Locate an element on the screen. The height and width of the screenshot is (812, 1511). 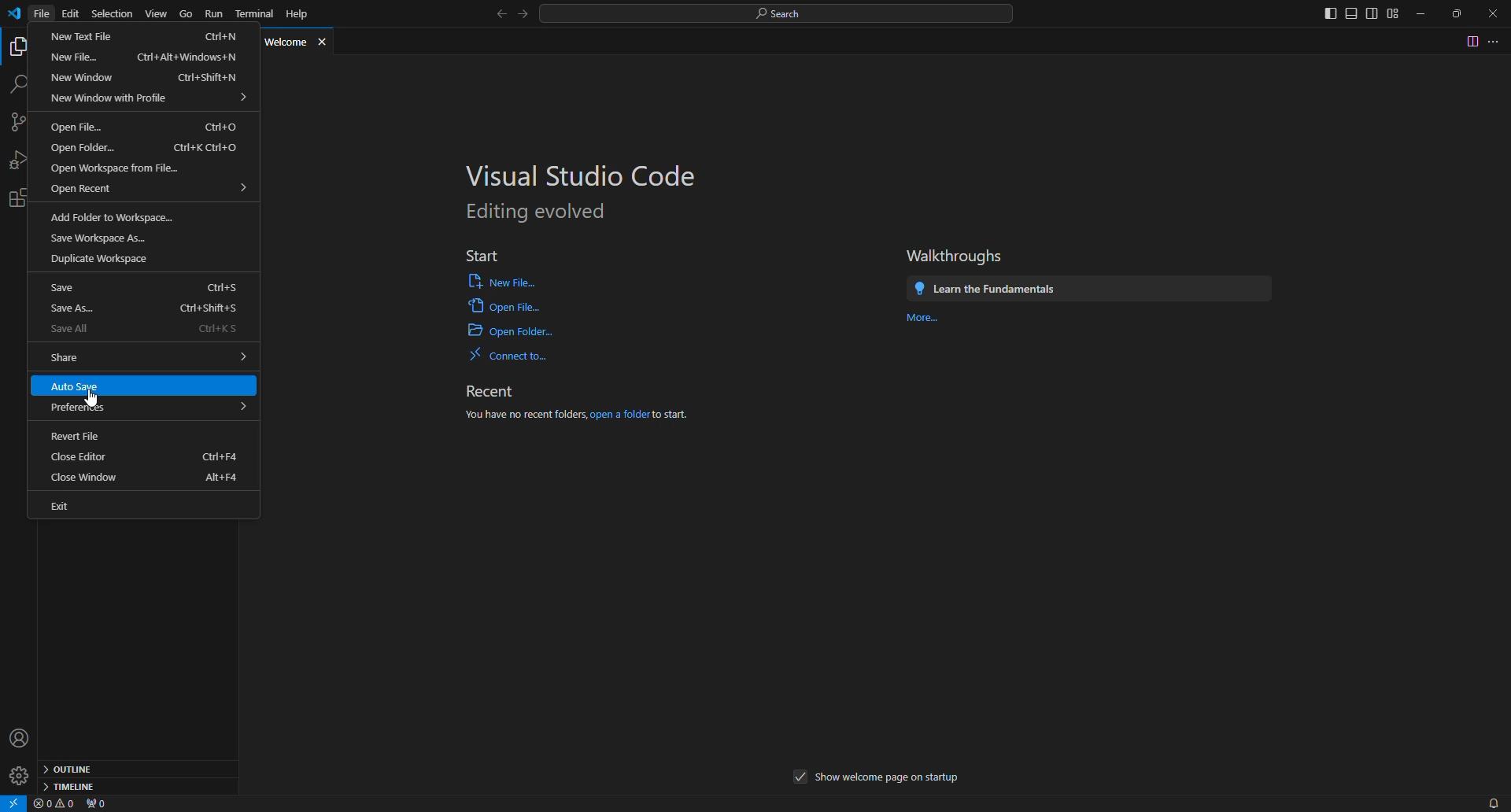
more actions is located at coordinates (1497, 41).